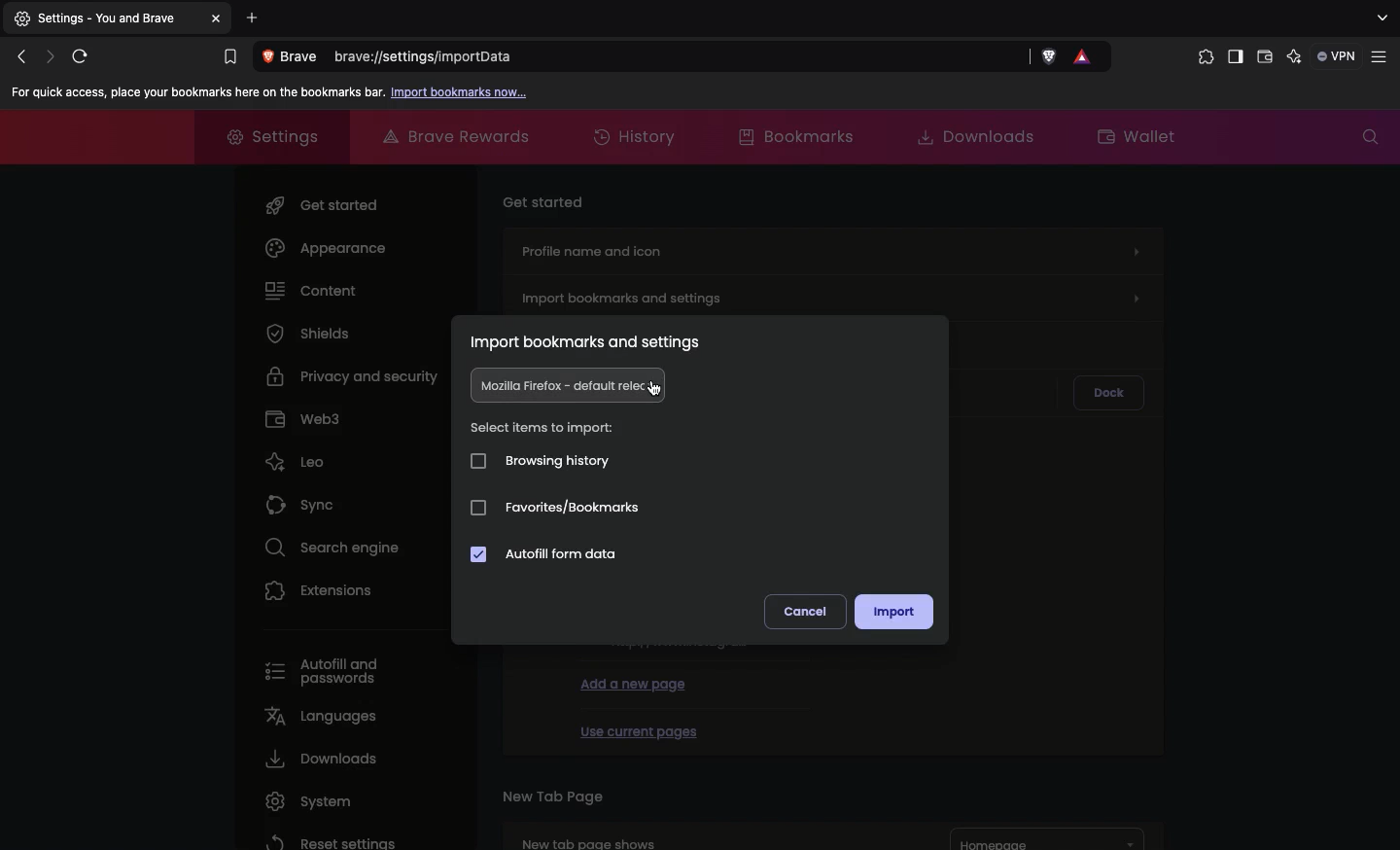 This screenshot has width=1400, height=850. I want to click on Dock, so click(1108, 393).